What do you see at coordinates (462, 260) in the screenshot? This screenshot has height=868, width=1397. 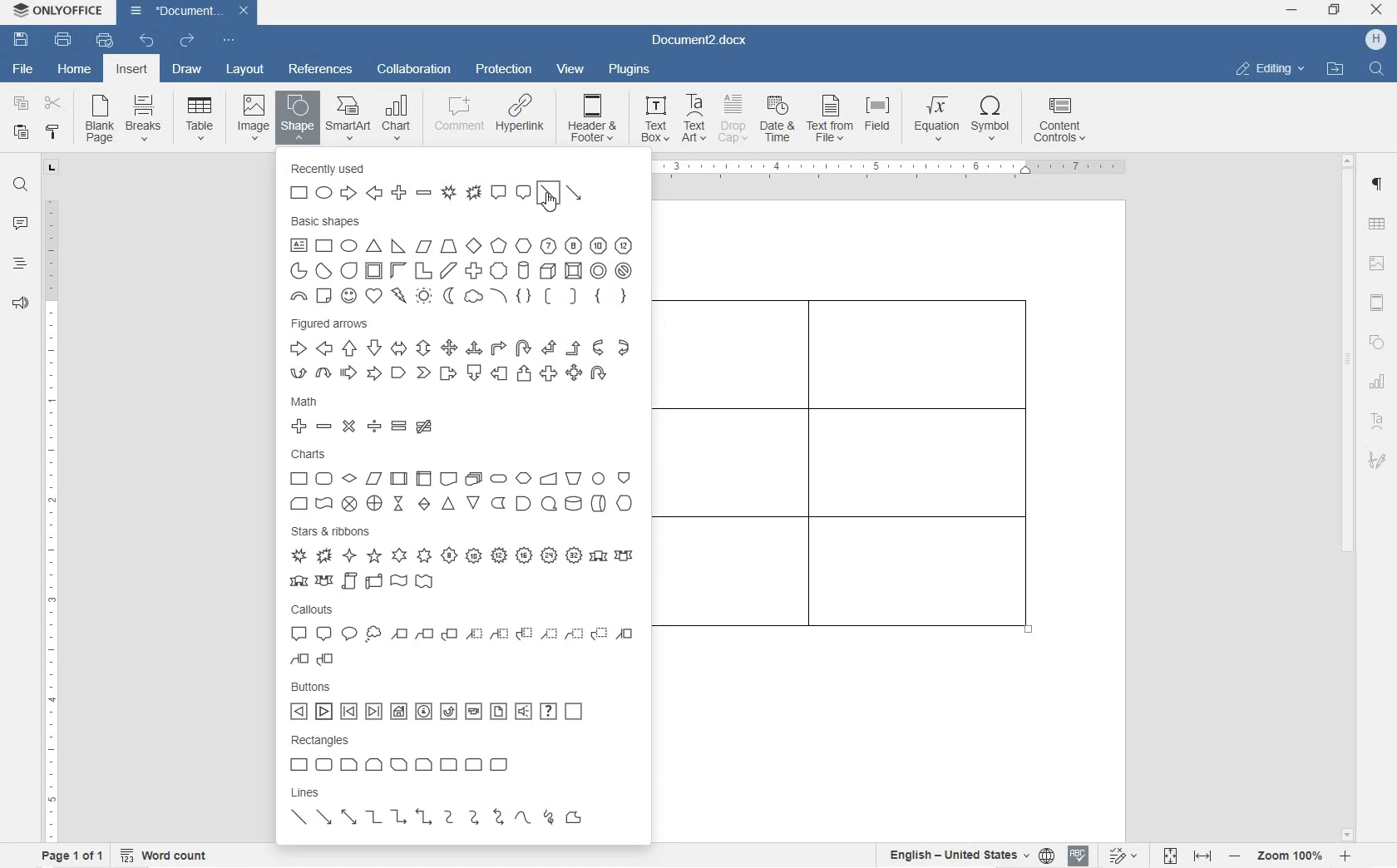 I see `basic shapes` at bounding box center [462, 260].